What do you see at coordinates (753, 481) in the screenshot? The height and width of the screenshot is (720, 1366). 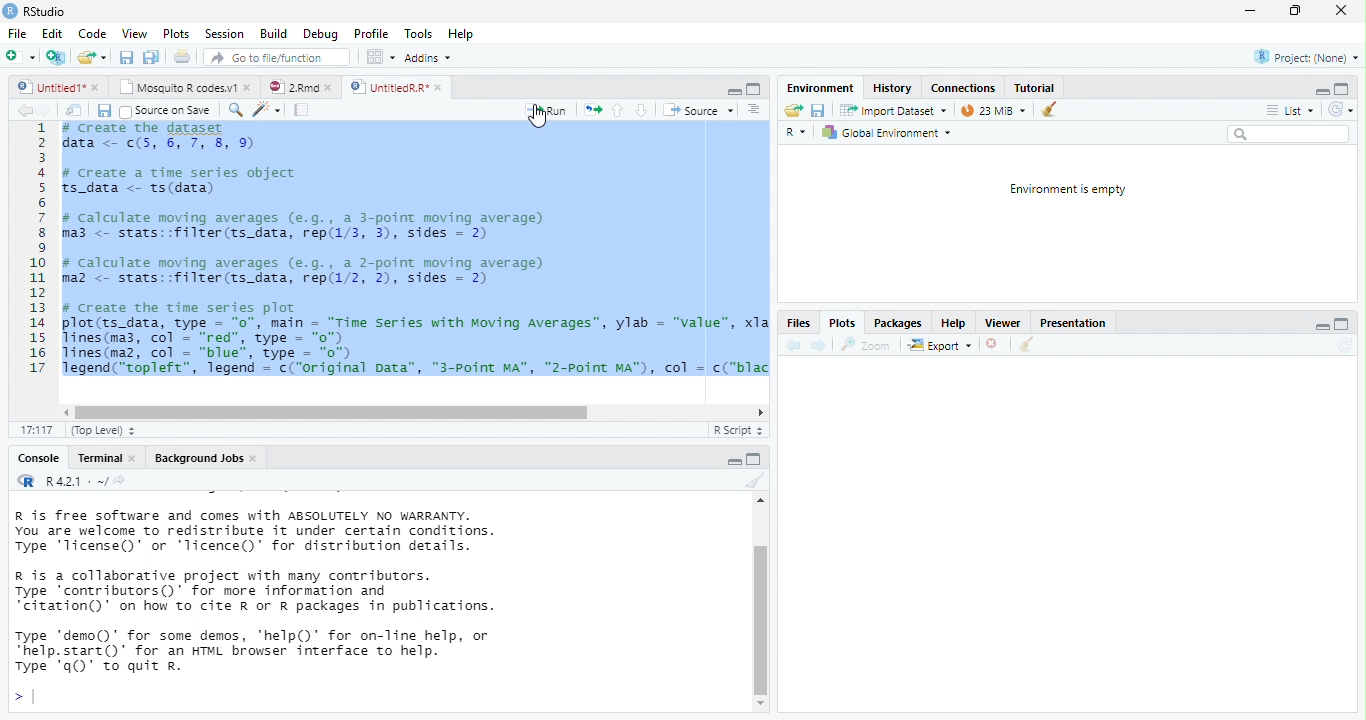 I see `clear` at bounding box center [753, 481].